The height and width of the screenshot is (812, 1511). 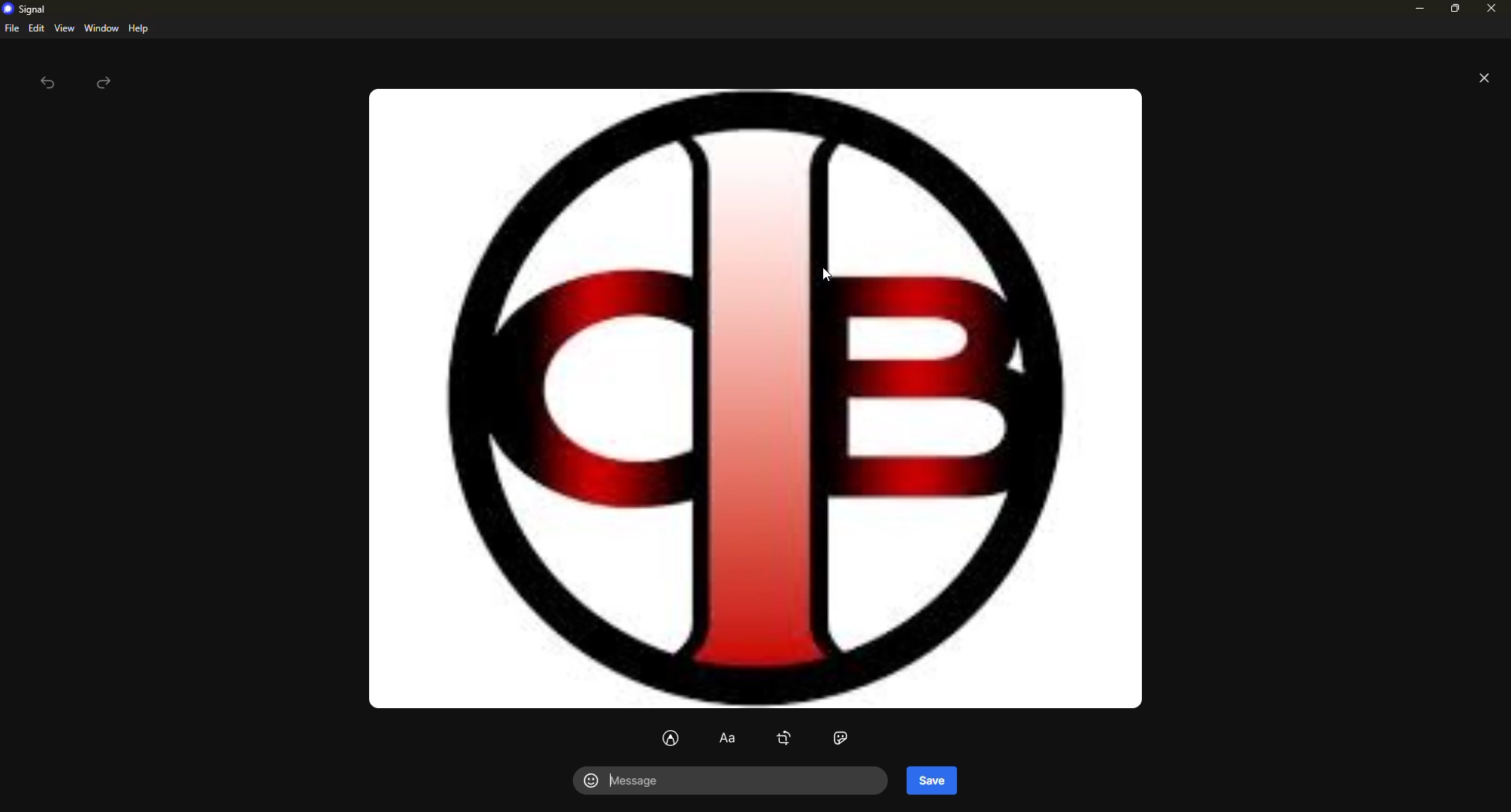 I want to click on minimize, so click(x=1417, y=9).